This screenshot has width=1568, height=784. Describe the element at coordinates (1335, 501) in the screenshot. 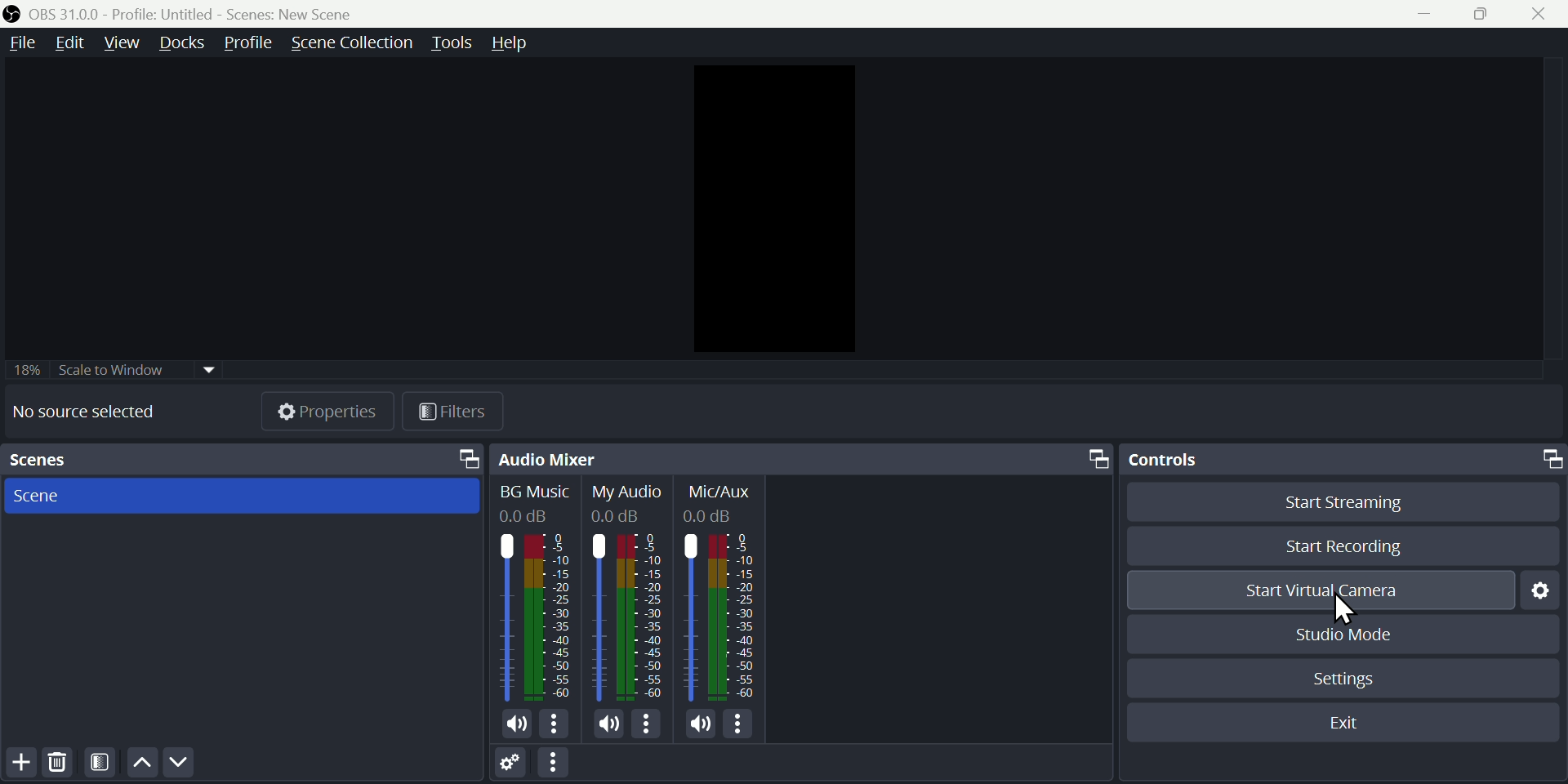

I see `Start streaming` at that location.